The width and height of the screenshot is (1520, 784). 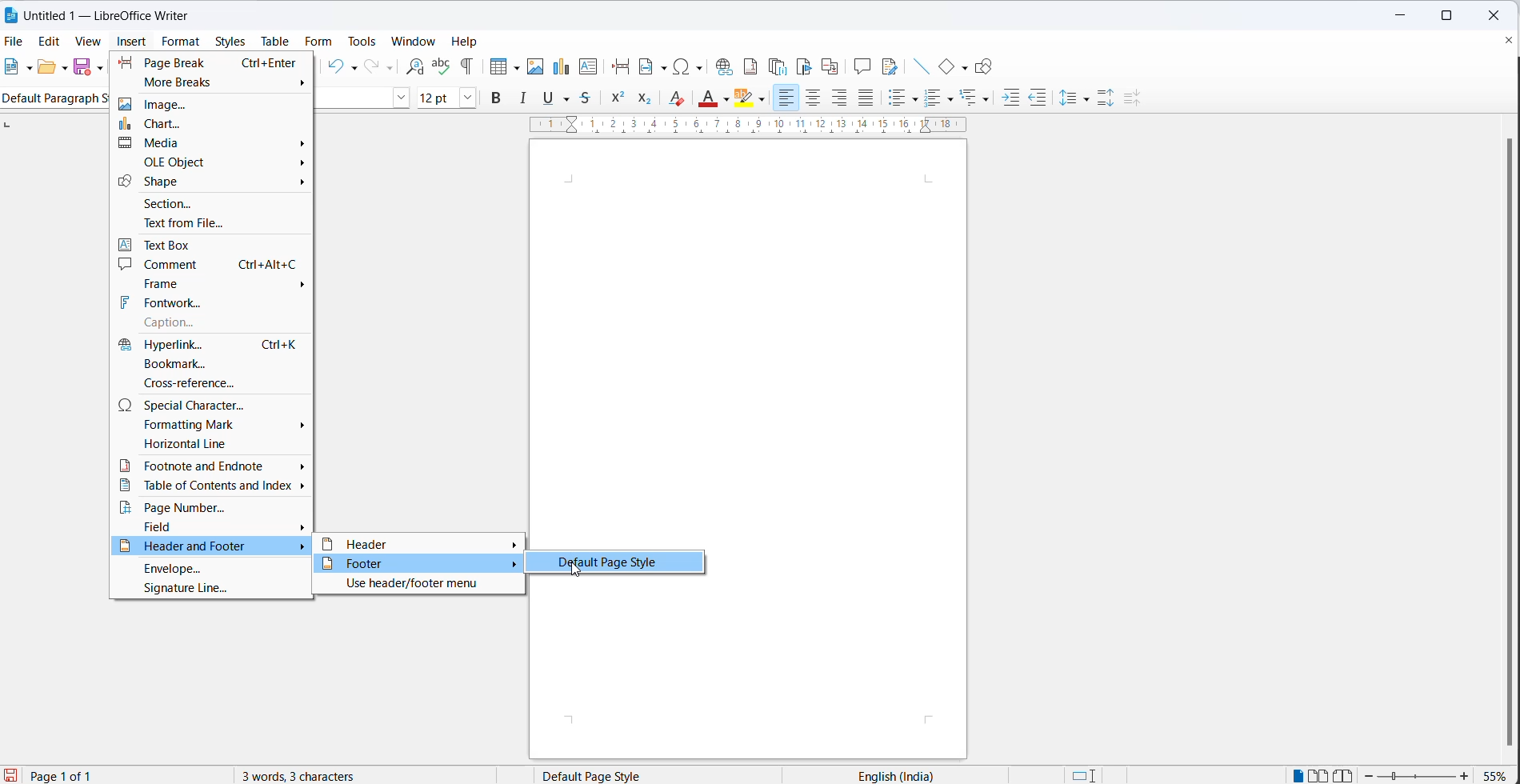 What do you see at coordinates (59, 69) in the screenshot?
I see `open options` at bounding box center [59, 69].